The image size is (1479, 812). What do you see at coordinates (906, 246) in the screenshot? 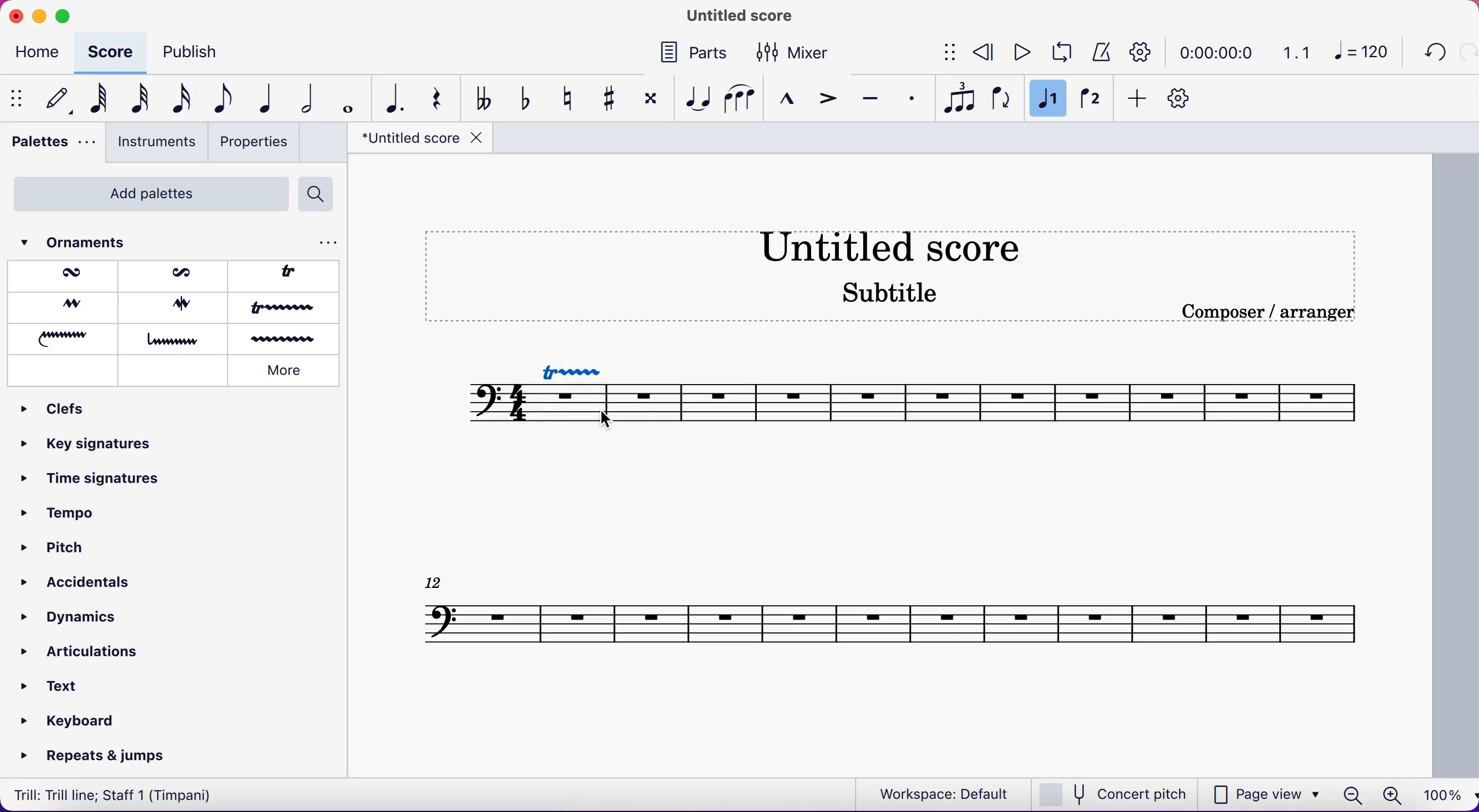
I see `score title` at bounding box center [906, 246].